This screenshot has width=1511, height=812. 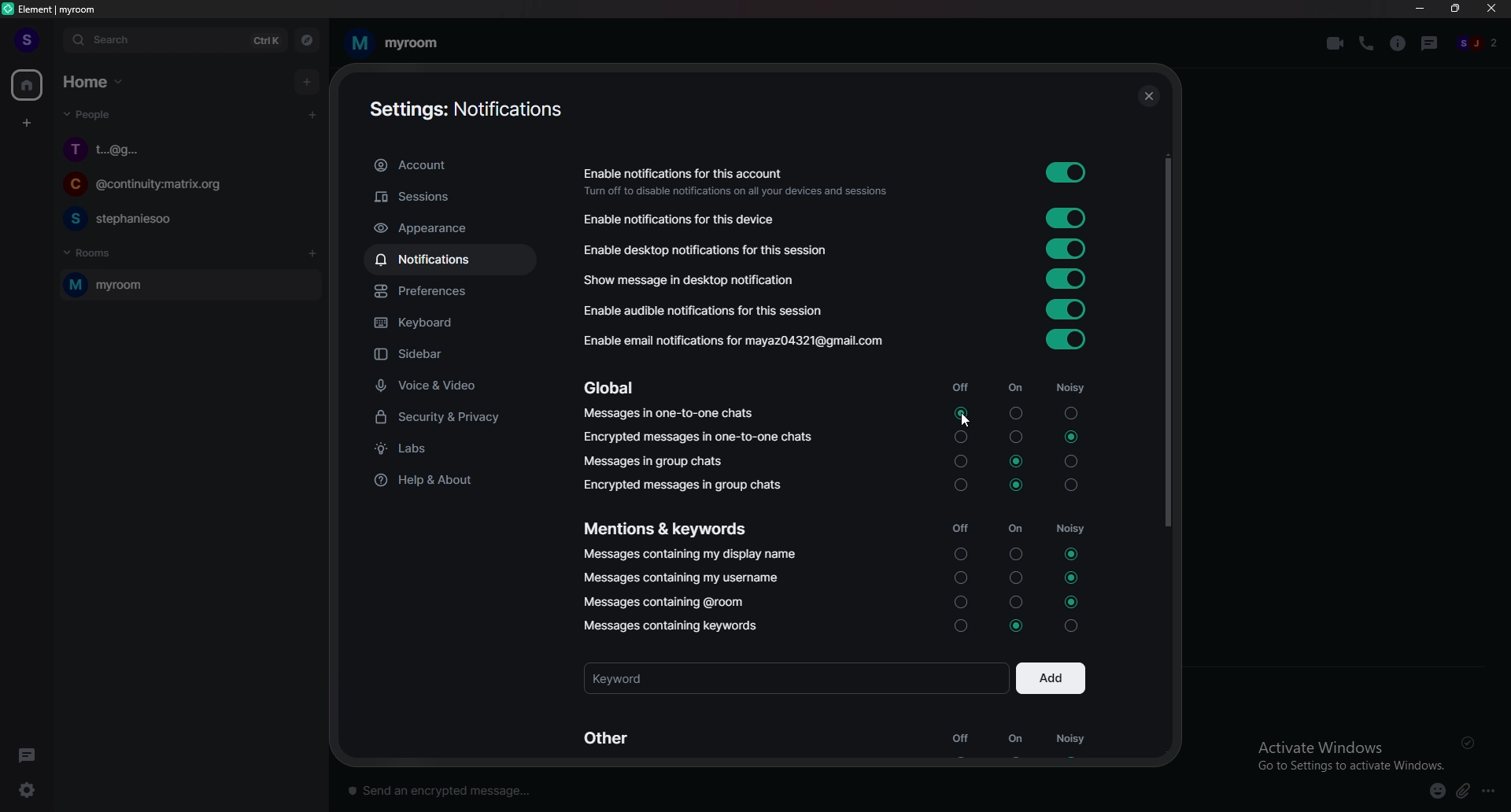 What do you see at coordinates (1069, 340) in the screenshot?
I see `toggle` at bounding box center [1069, 340].